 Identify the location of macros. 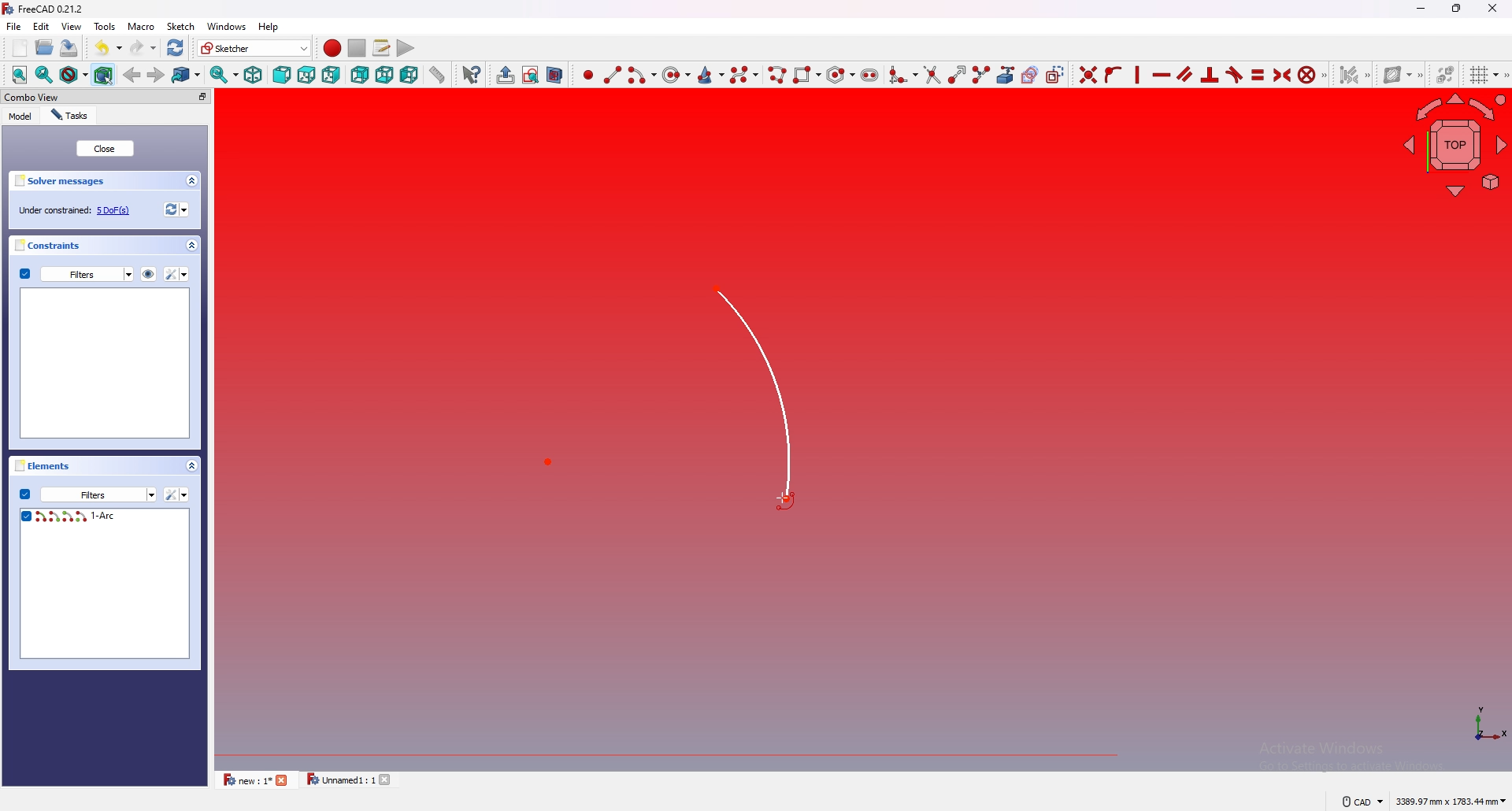
(381, 48).